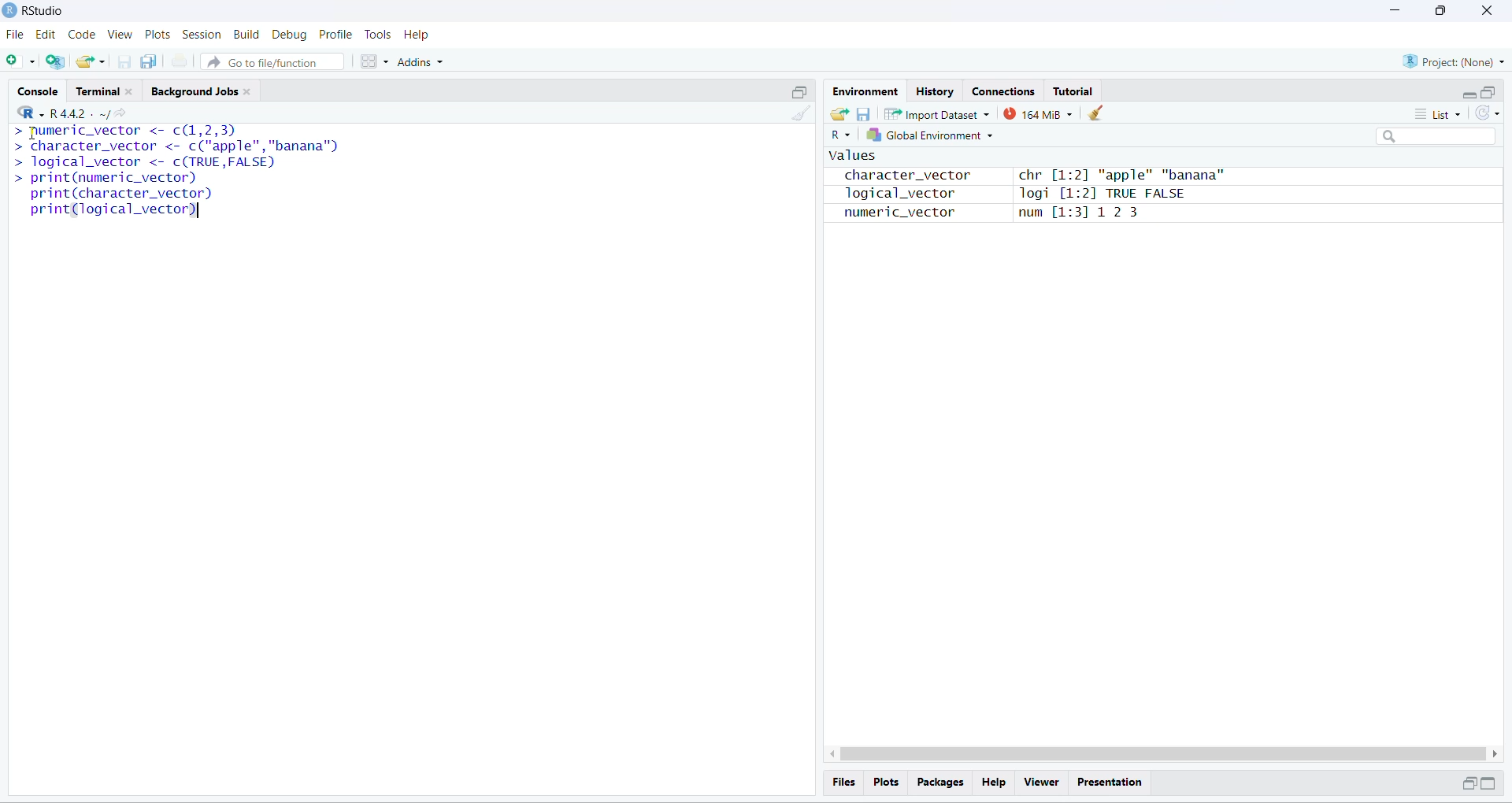  What do you see at coordinates (159, 35) in the screenshot?
I see `Plots` at bounding box center [159, 35].